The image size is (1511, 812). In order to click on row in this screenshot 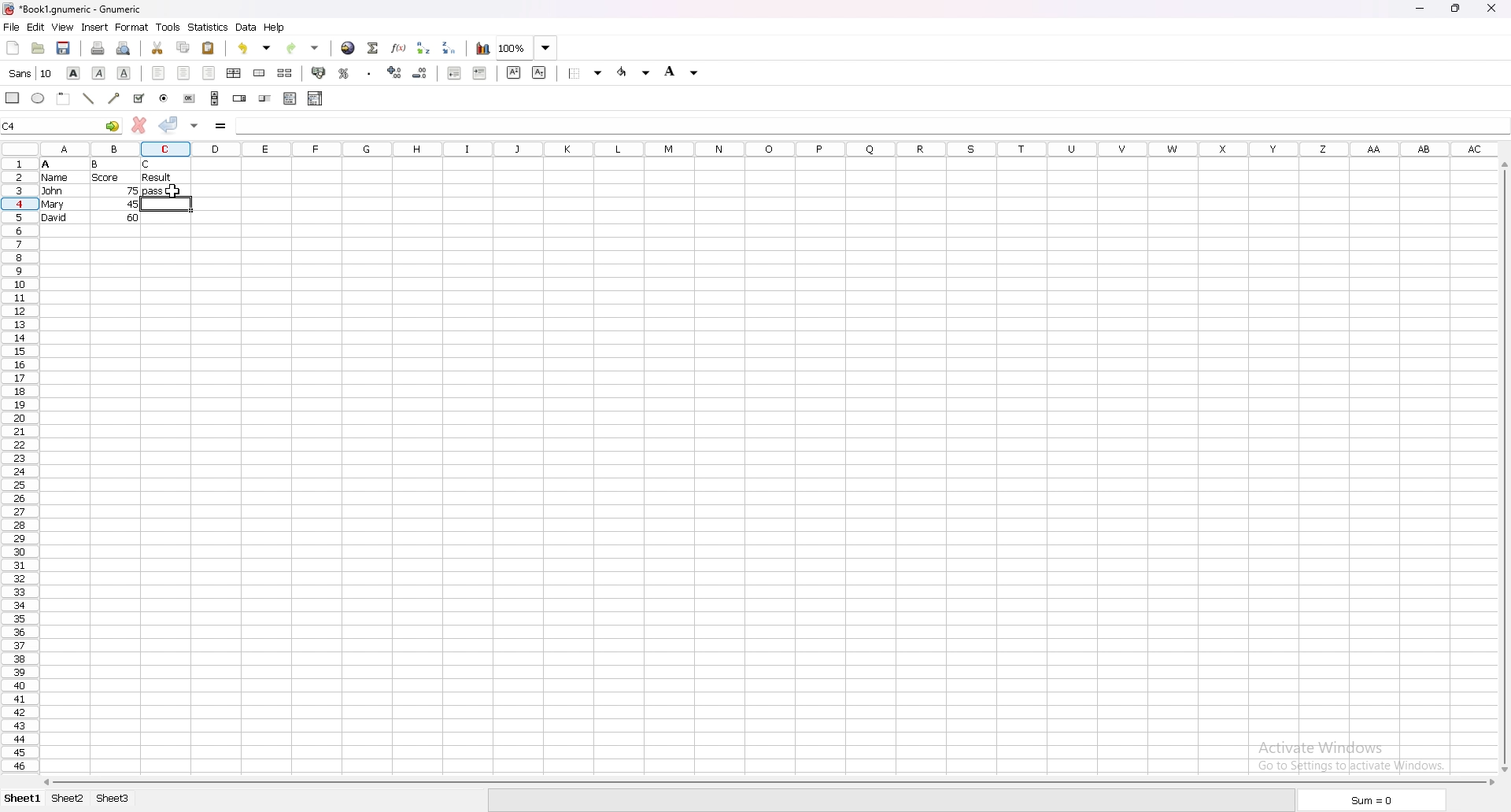, I will do `click(17, 462)`.